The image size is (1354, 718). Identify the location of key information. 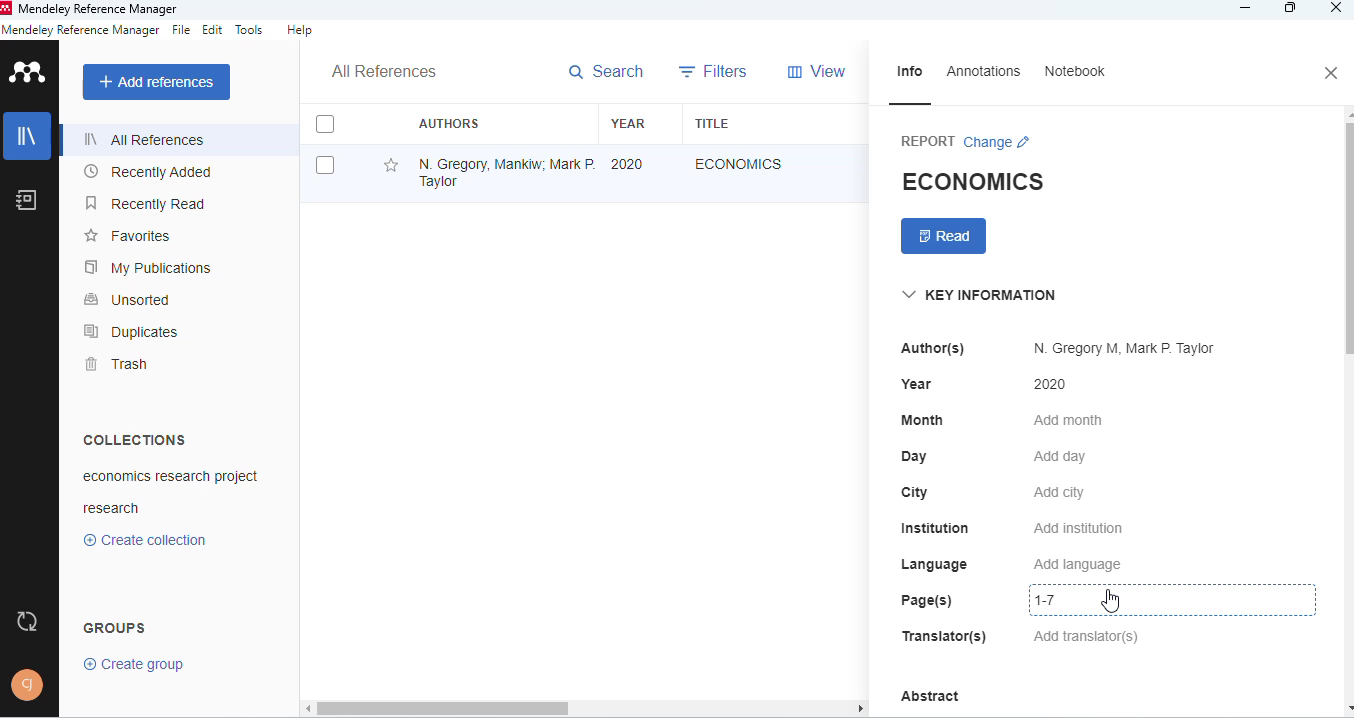
(979, 295).